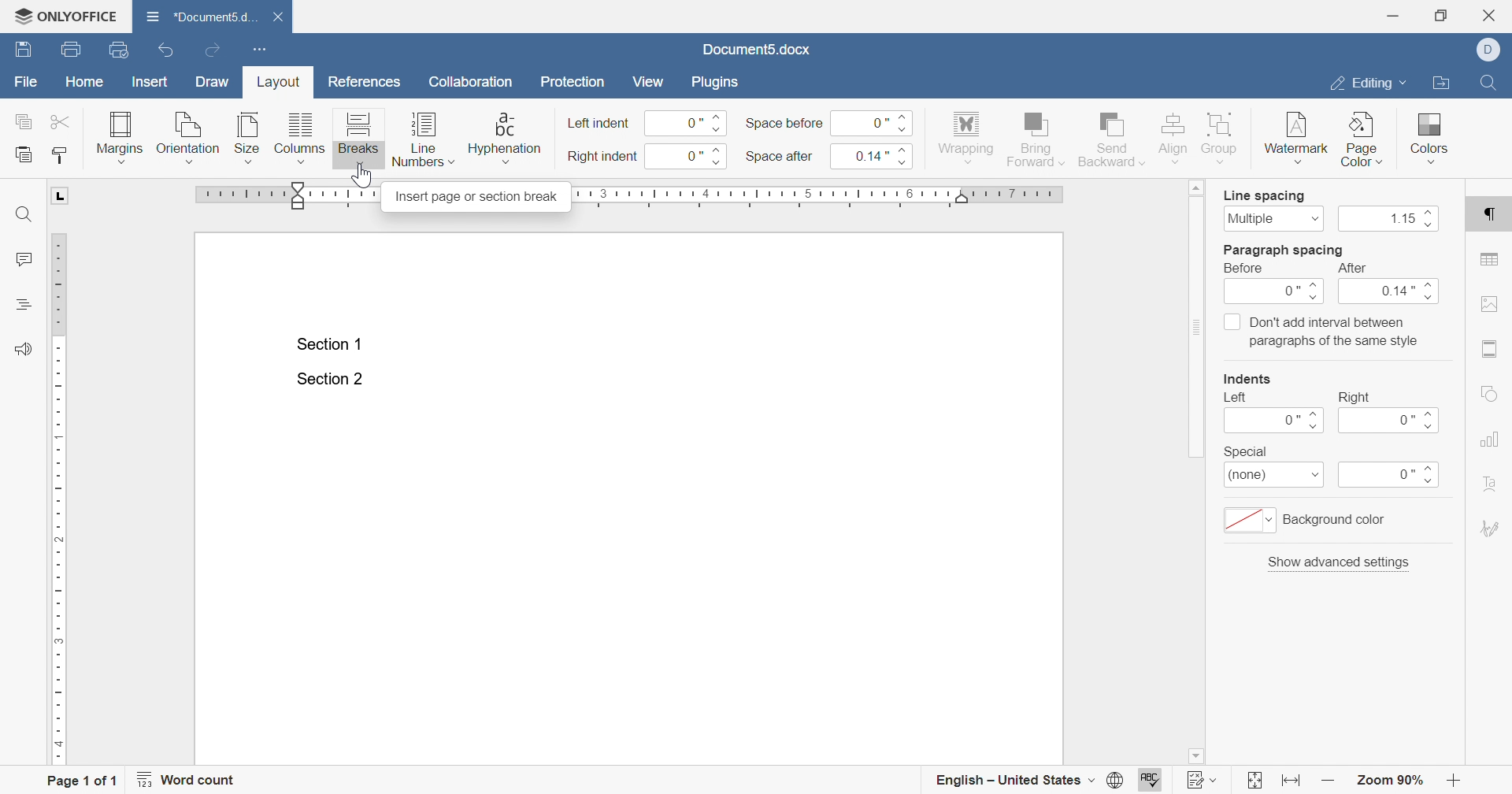  I want to click on section 1, so click(333, 345).